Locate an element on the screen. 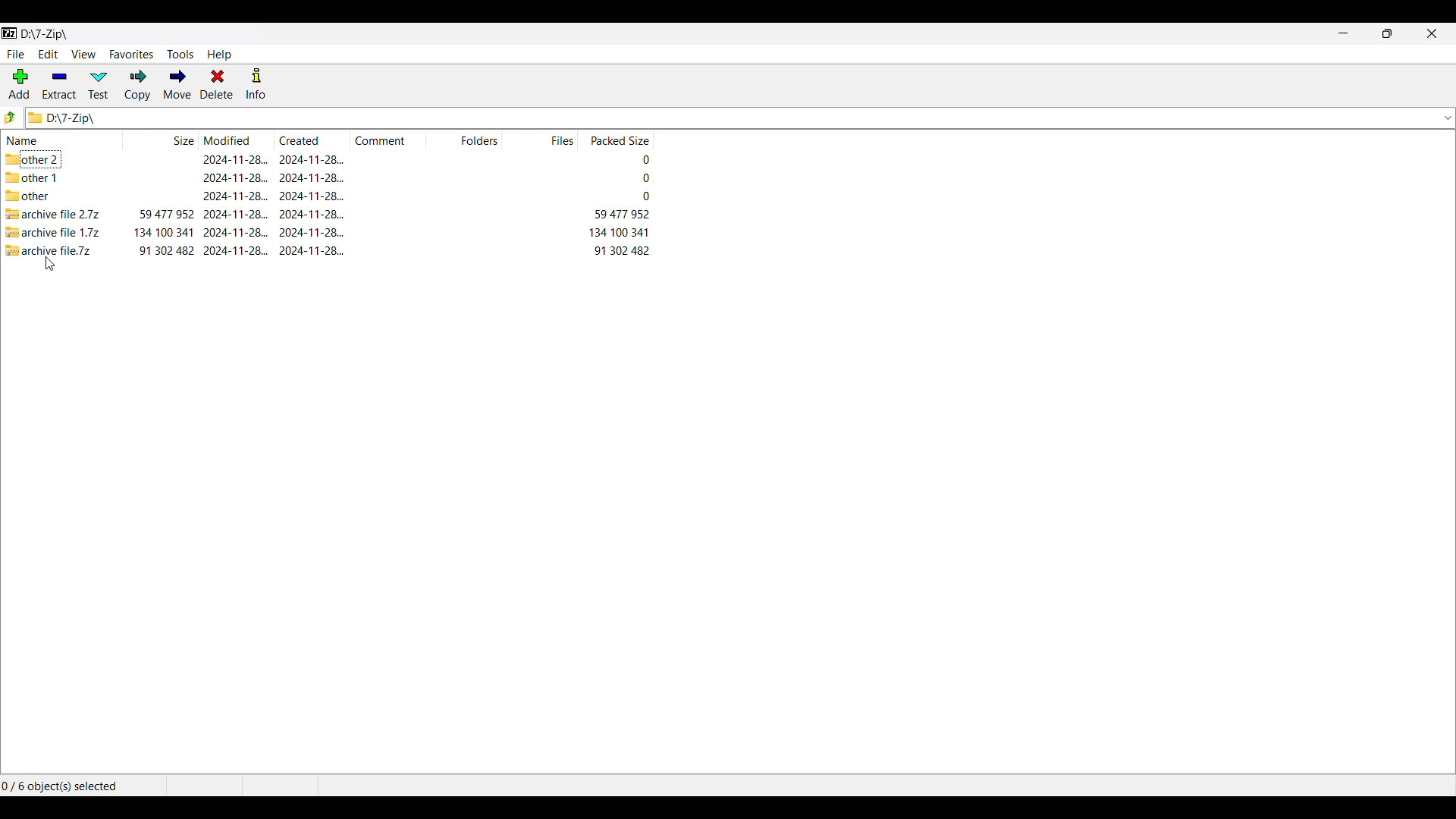  folder is located at coordinates (27, 195).